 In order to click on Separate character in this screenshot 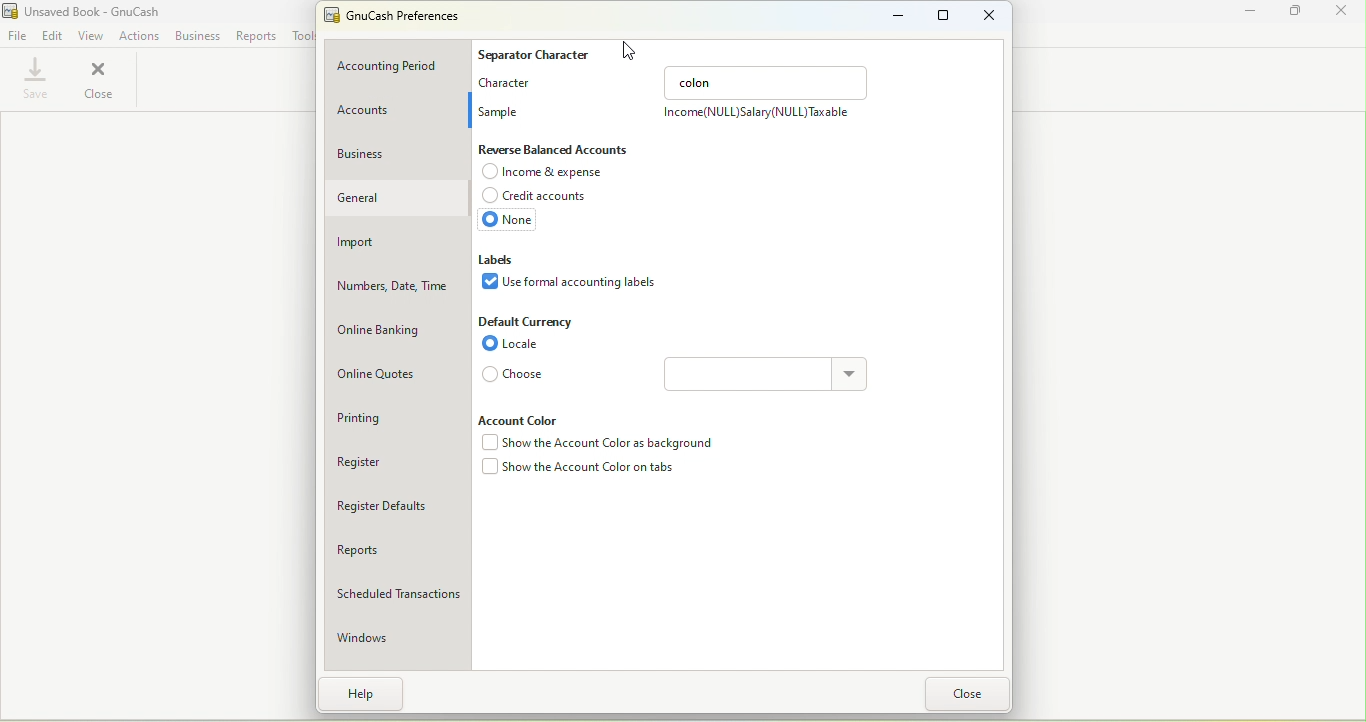, I will do `click(540, 55)`.